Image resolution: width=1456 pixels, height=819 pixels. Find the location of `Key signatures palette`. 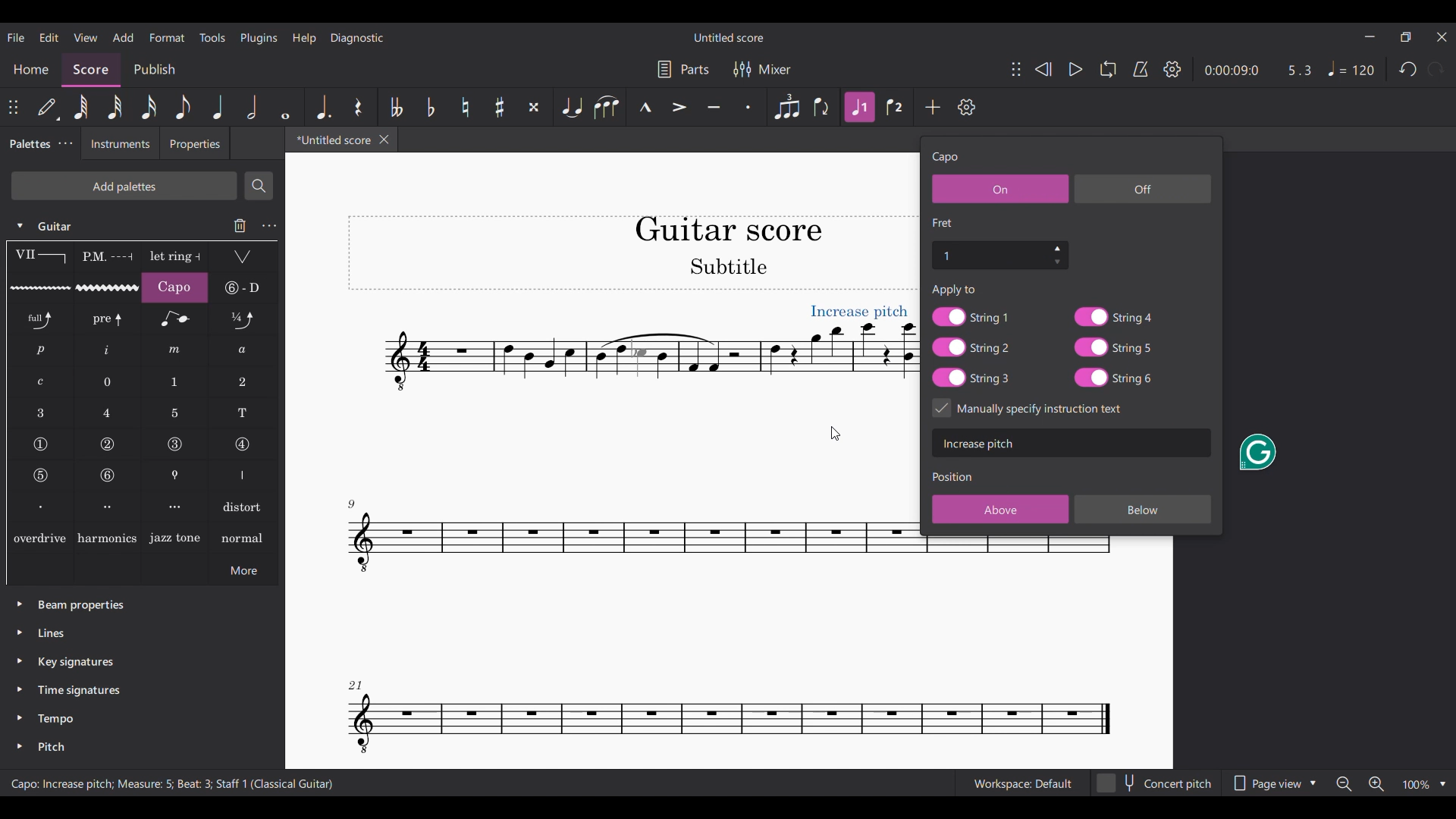

Key signatures palette is located at coordinates (76, 662).